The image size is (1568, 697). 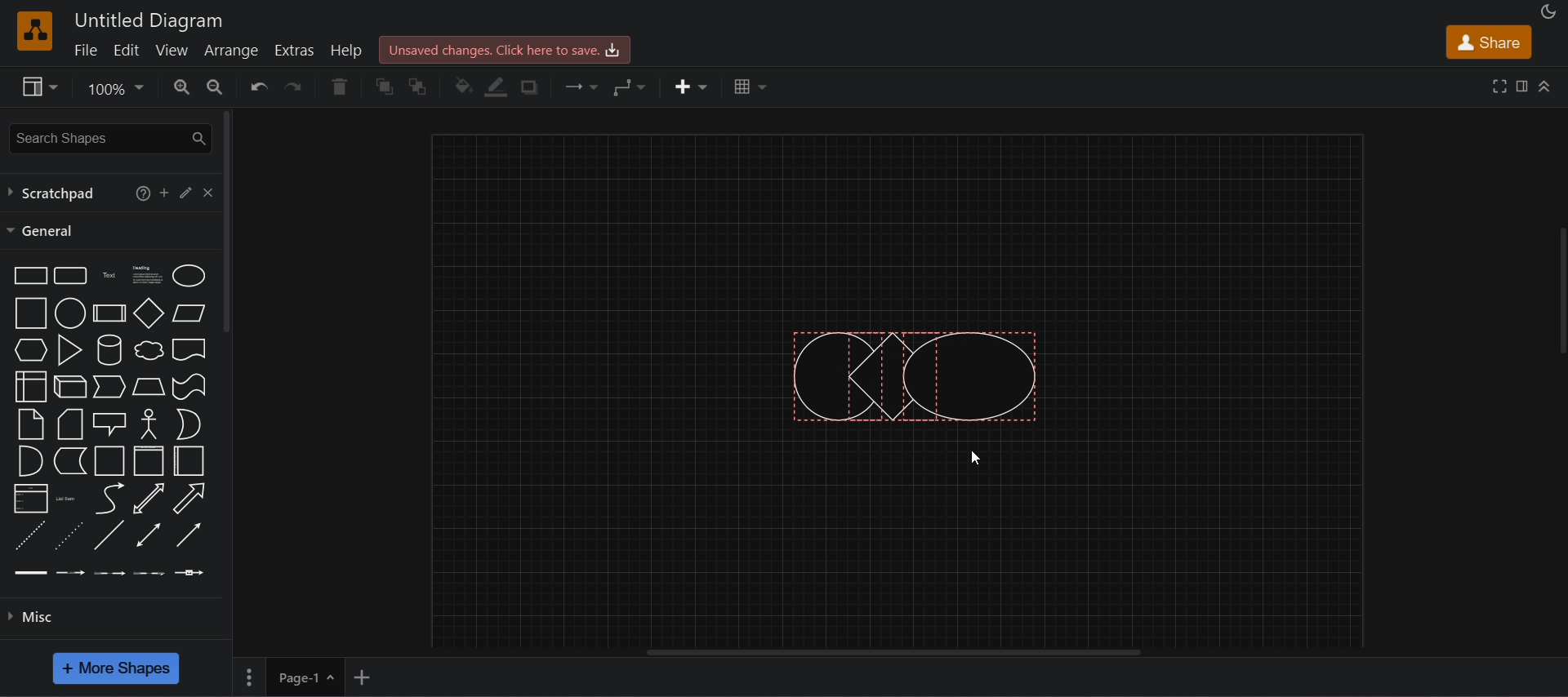 What do you see at coordinates (118, 615) in the screenshot?
I see `misc` at bounding box center [118, 615].